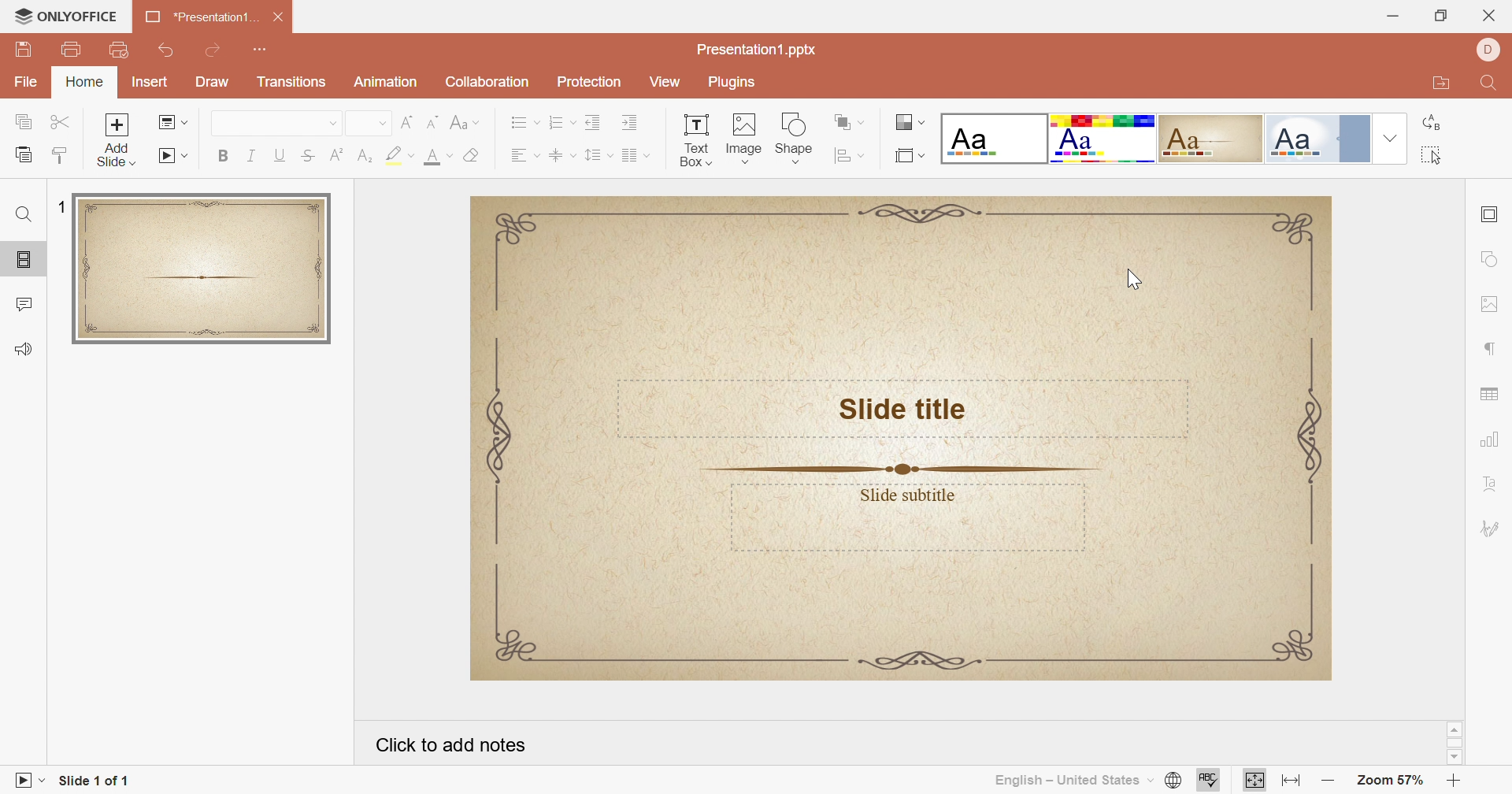 The image size is (1512, 794). Describe the element at coordinates (1459, 783) in the screenshot. I see `Zoom in` at that location.